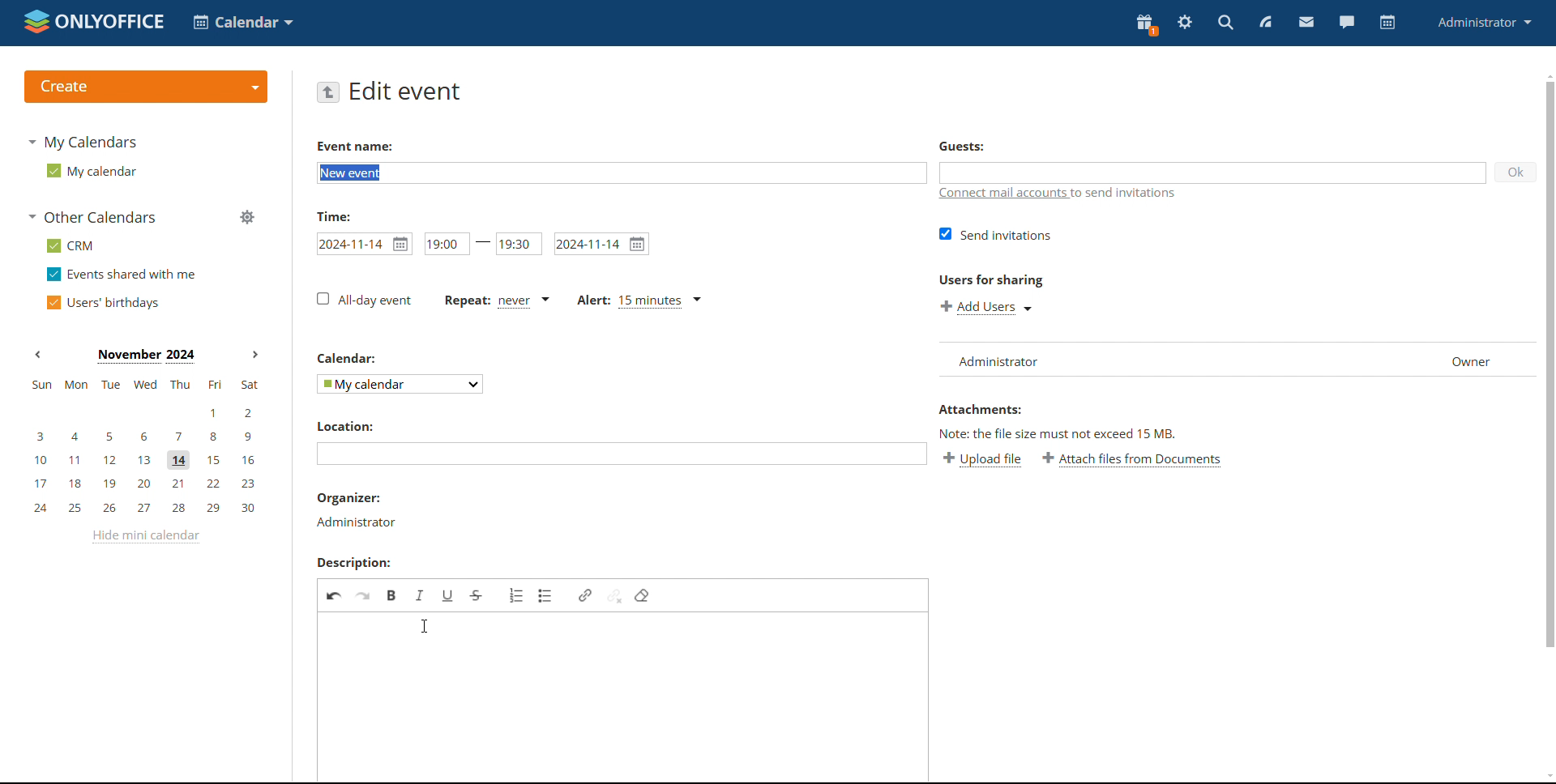  Describe the element at coordinates (144, 356) in the screenshot. I see `current month` at that location.